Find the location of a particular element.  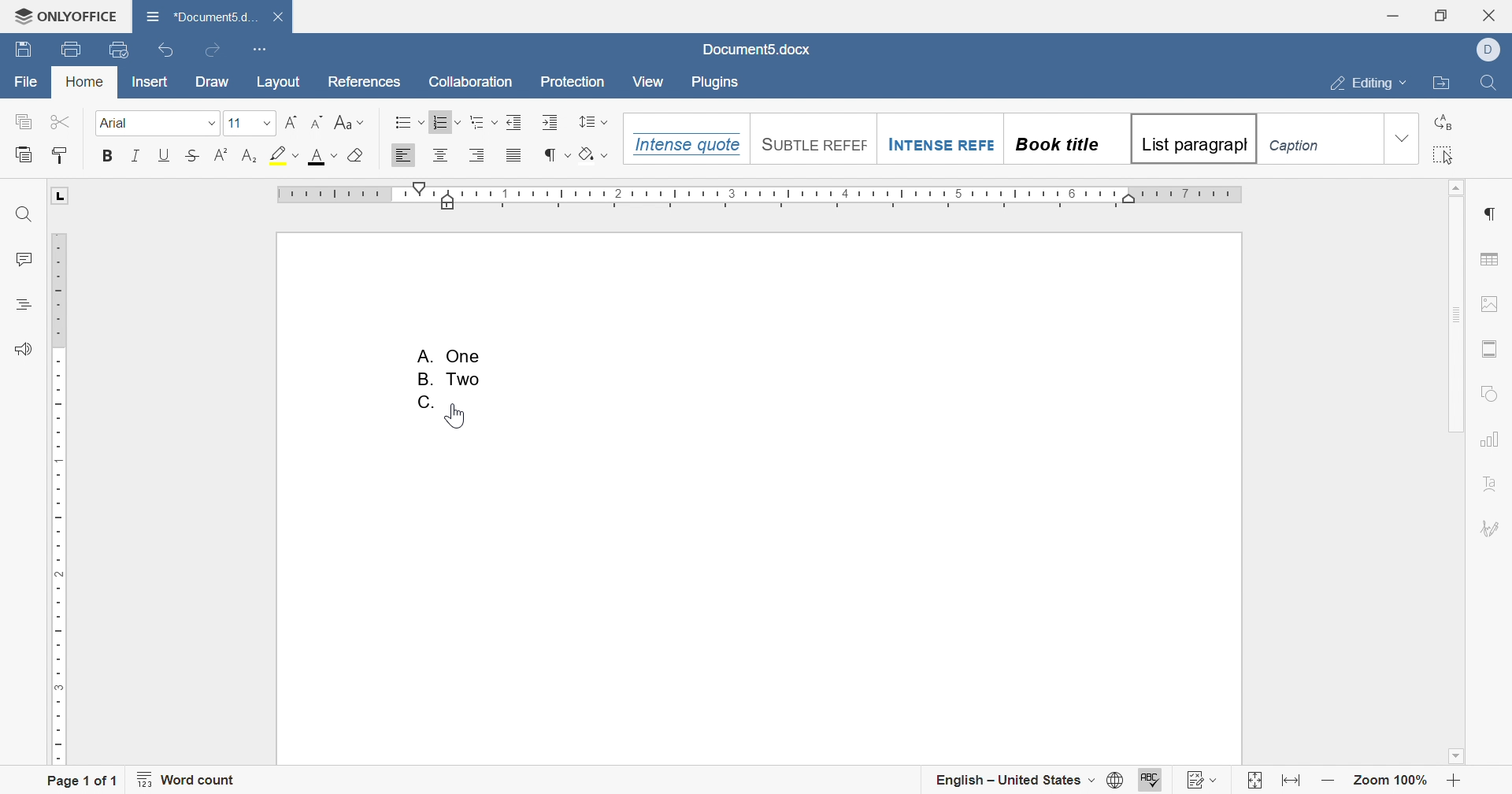

Strikethrough is located at coordinates (193, 154).